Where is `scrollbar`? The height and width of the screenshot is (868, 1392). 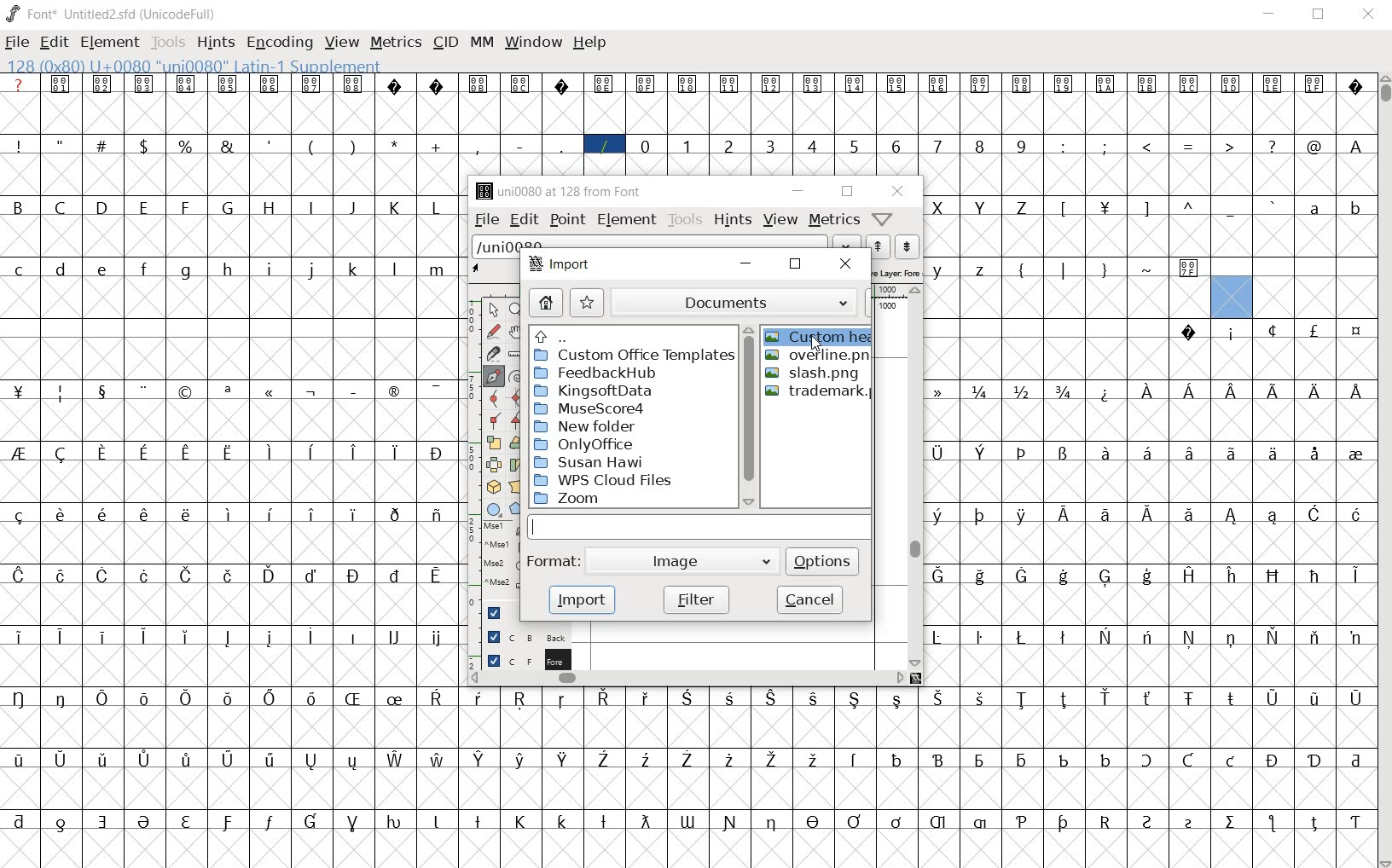
scrollbar is located at coordinates (915, 477).